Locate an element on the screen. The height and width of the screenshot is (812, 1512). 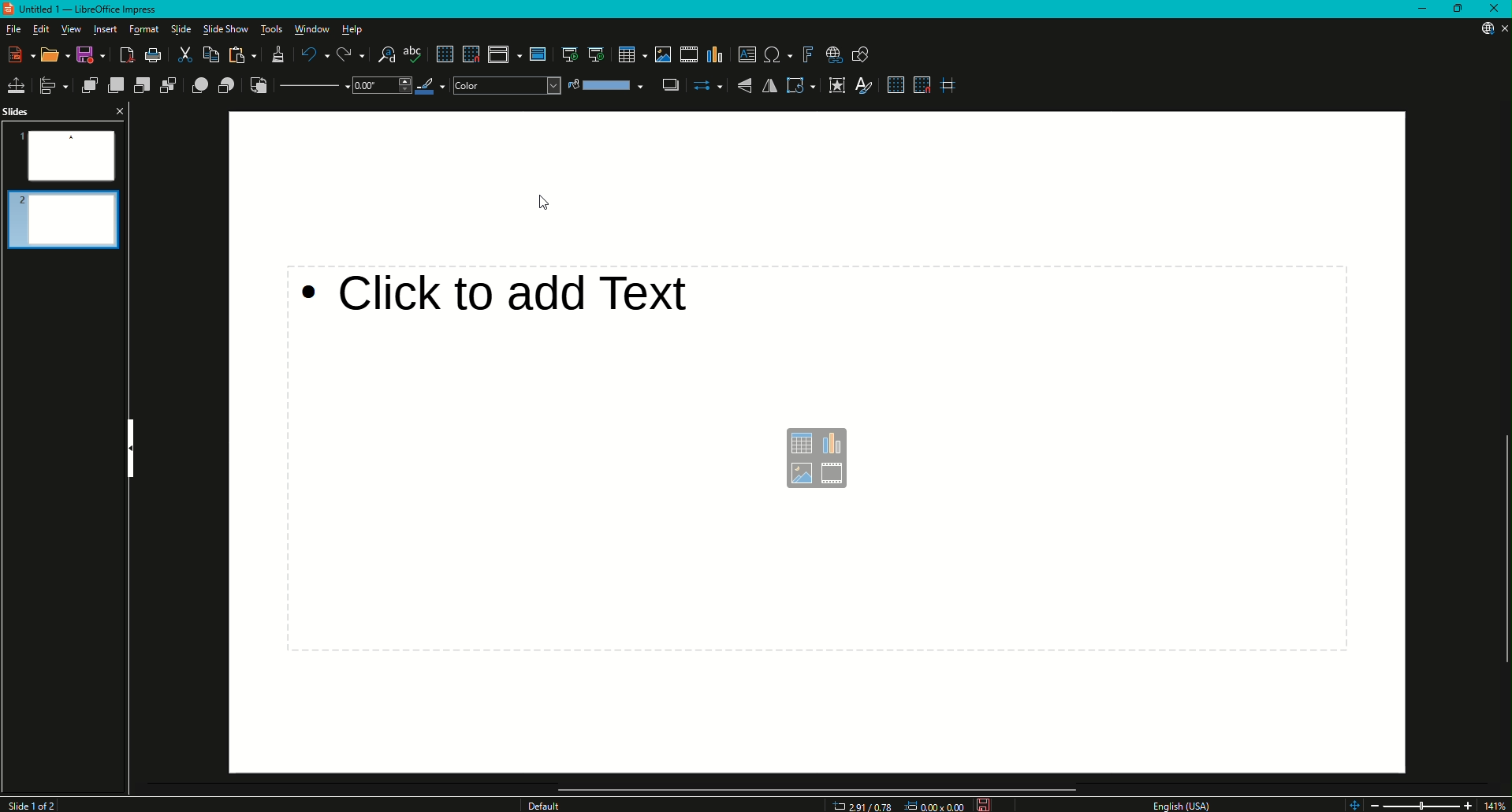
Shadow is located at coordinates (670, 85).